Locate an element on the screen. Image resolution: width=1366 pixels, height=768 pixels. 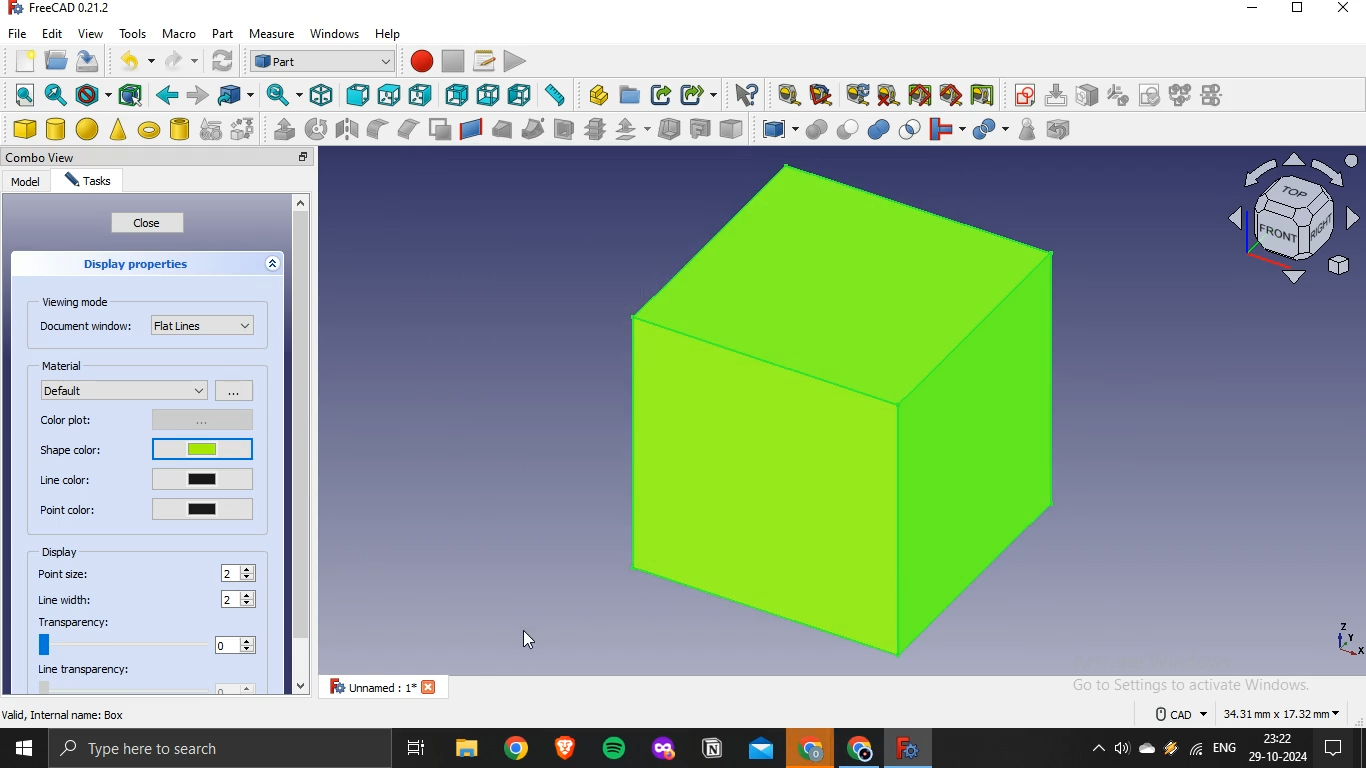
refresh is located at coordinates (220, 61).